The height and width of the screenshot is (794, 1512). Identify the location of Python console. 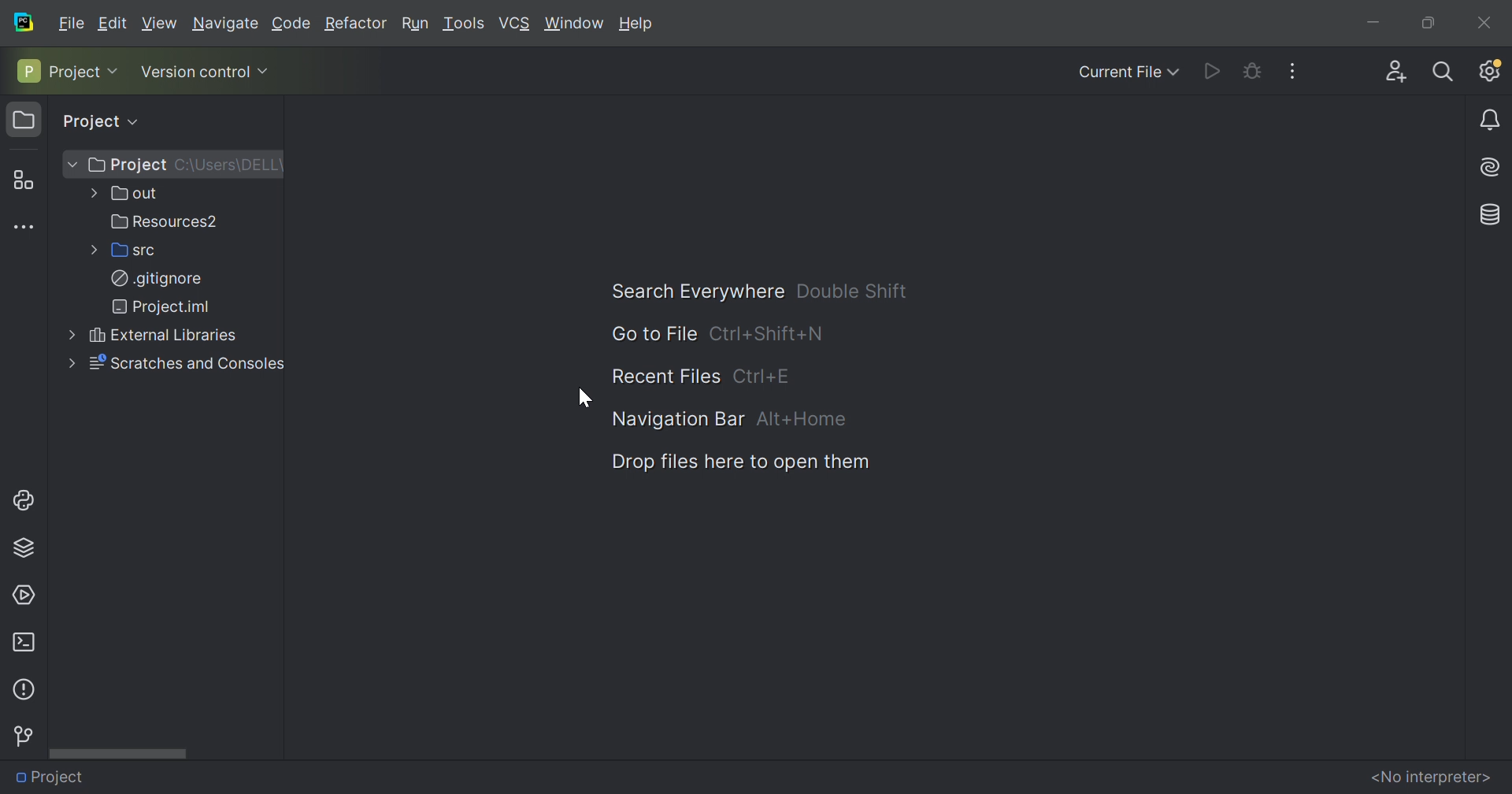
(27, 499).